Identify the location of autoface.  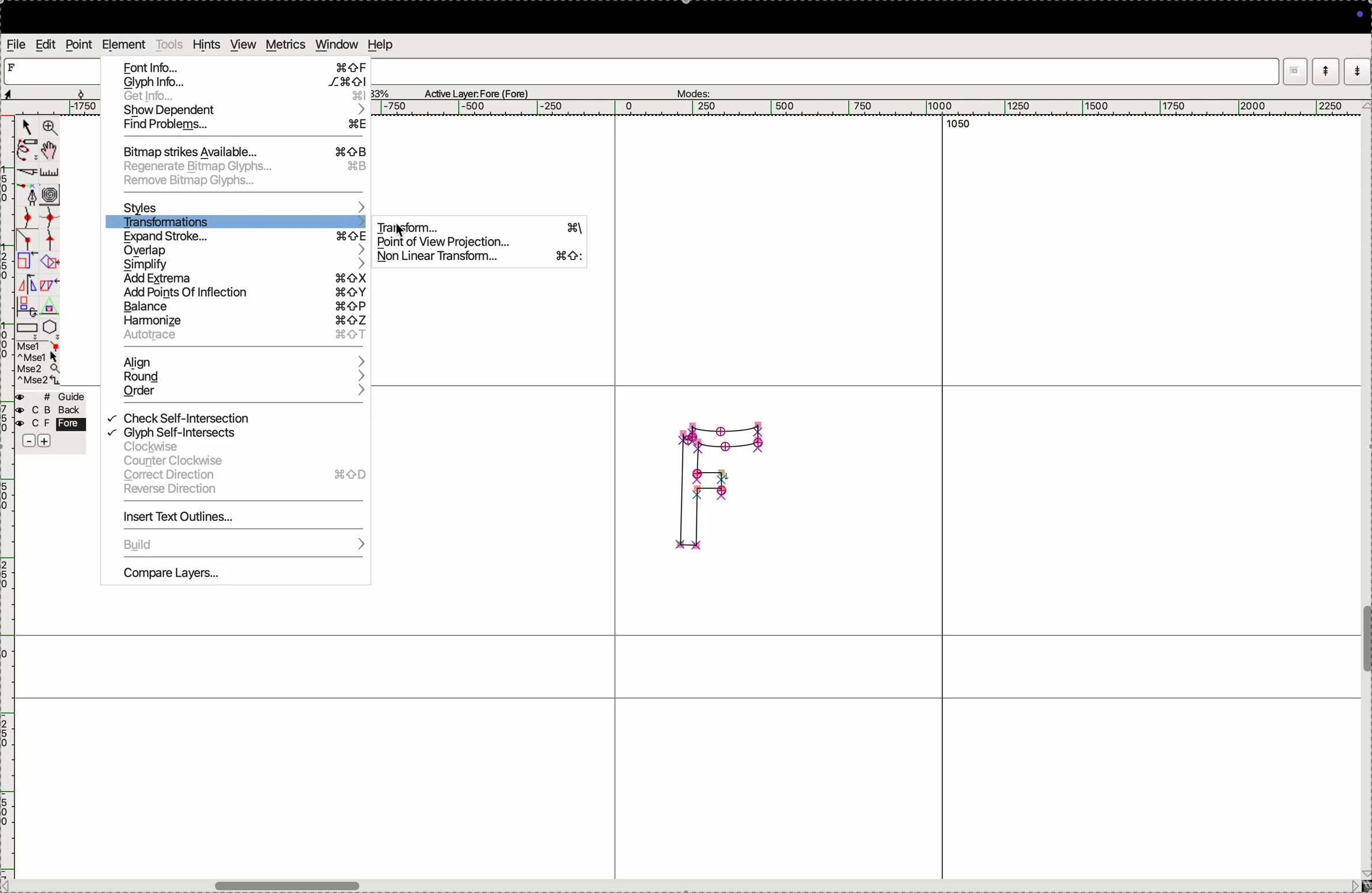
(243, 339).